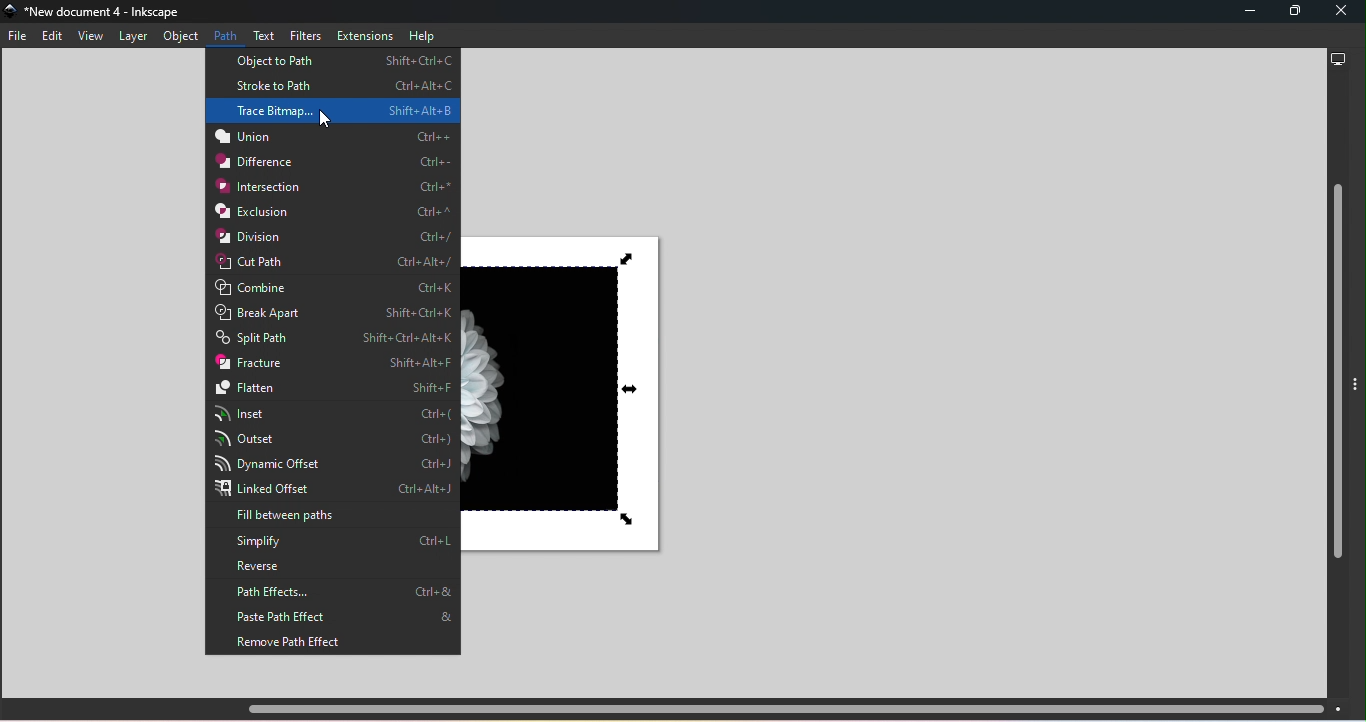  I want to click on Split path, so click(334, 337).